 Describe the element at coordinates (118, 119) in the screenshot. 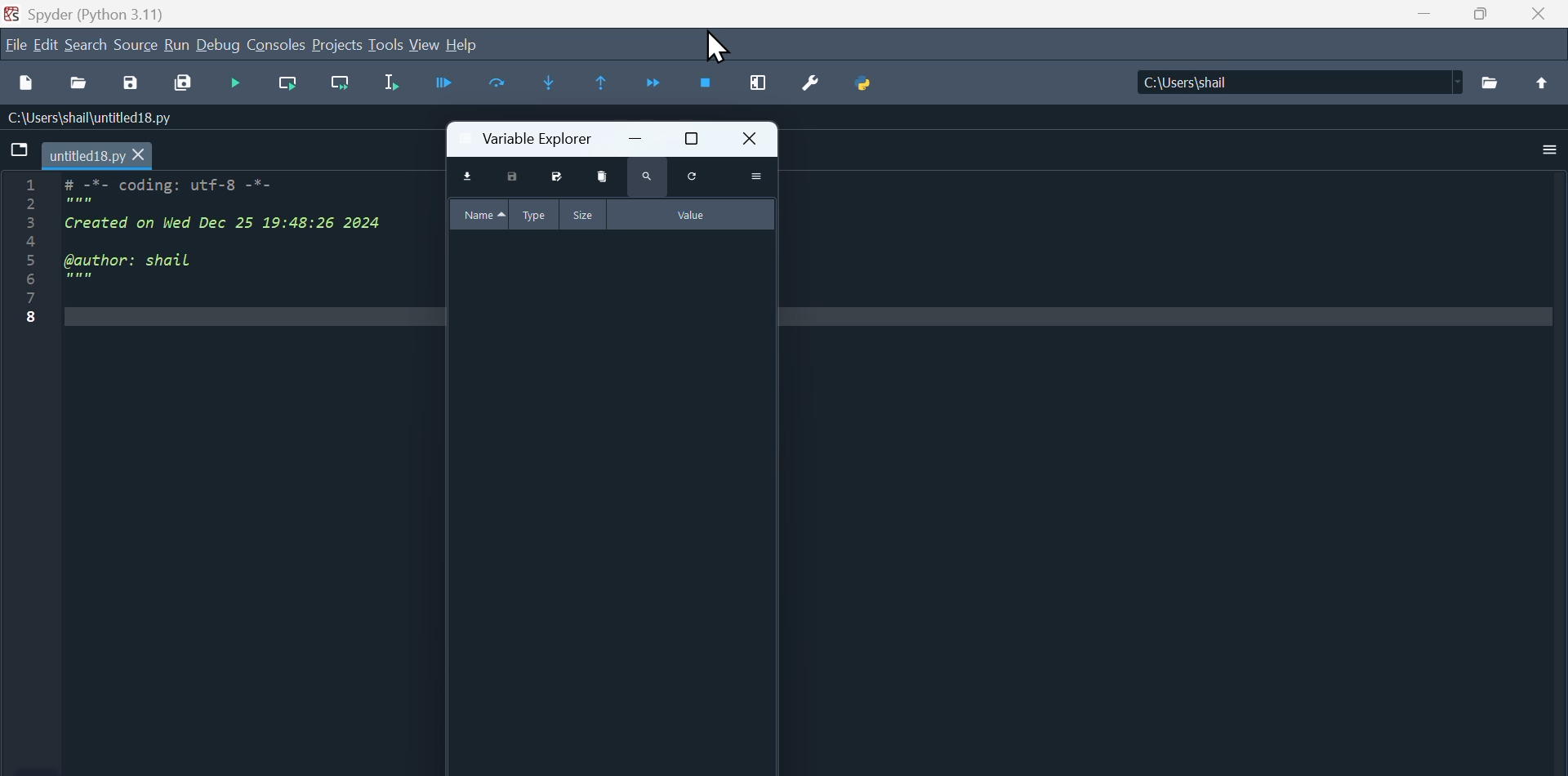

I see `C:\users\shail\untitled18.py` at that location.